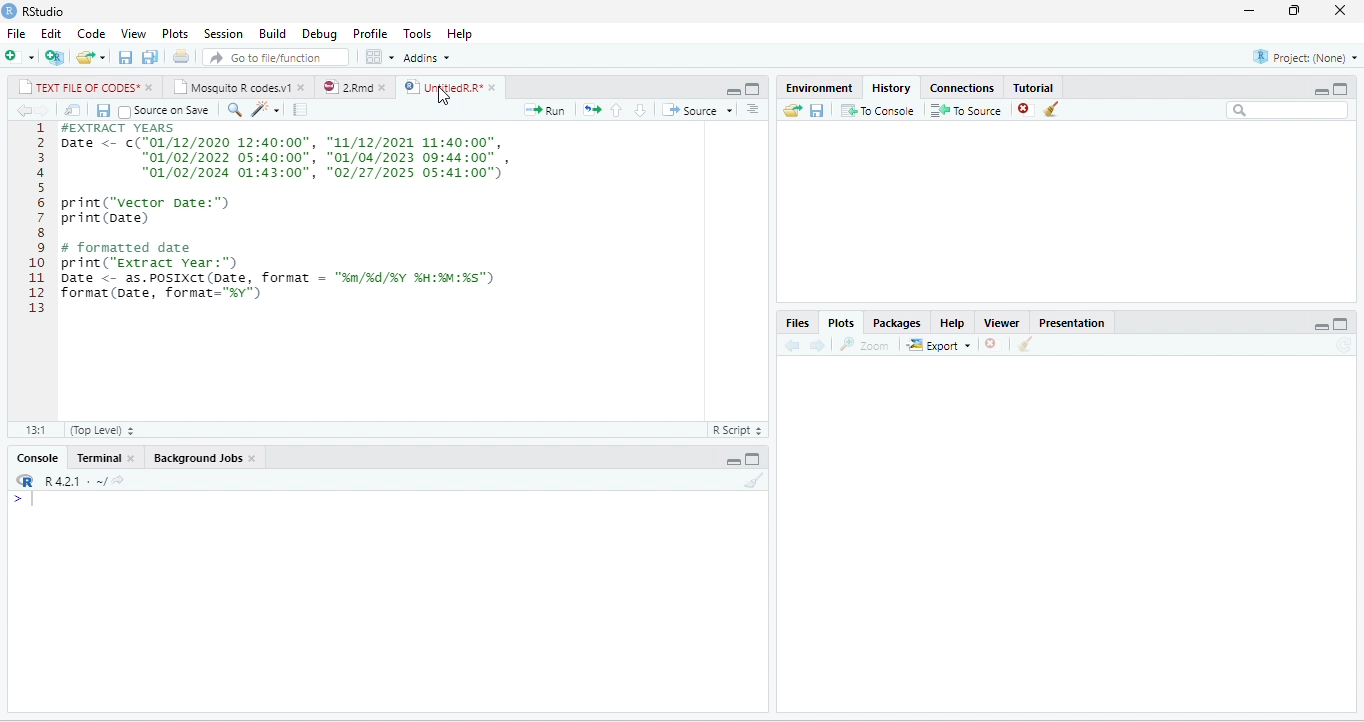 Image resolution: width=1364 pixels, height=722 pixels. Describe the element at coordinates (442, 86) in the screenshot. I see `UntitledR.R` at that location.